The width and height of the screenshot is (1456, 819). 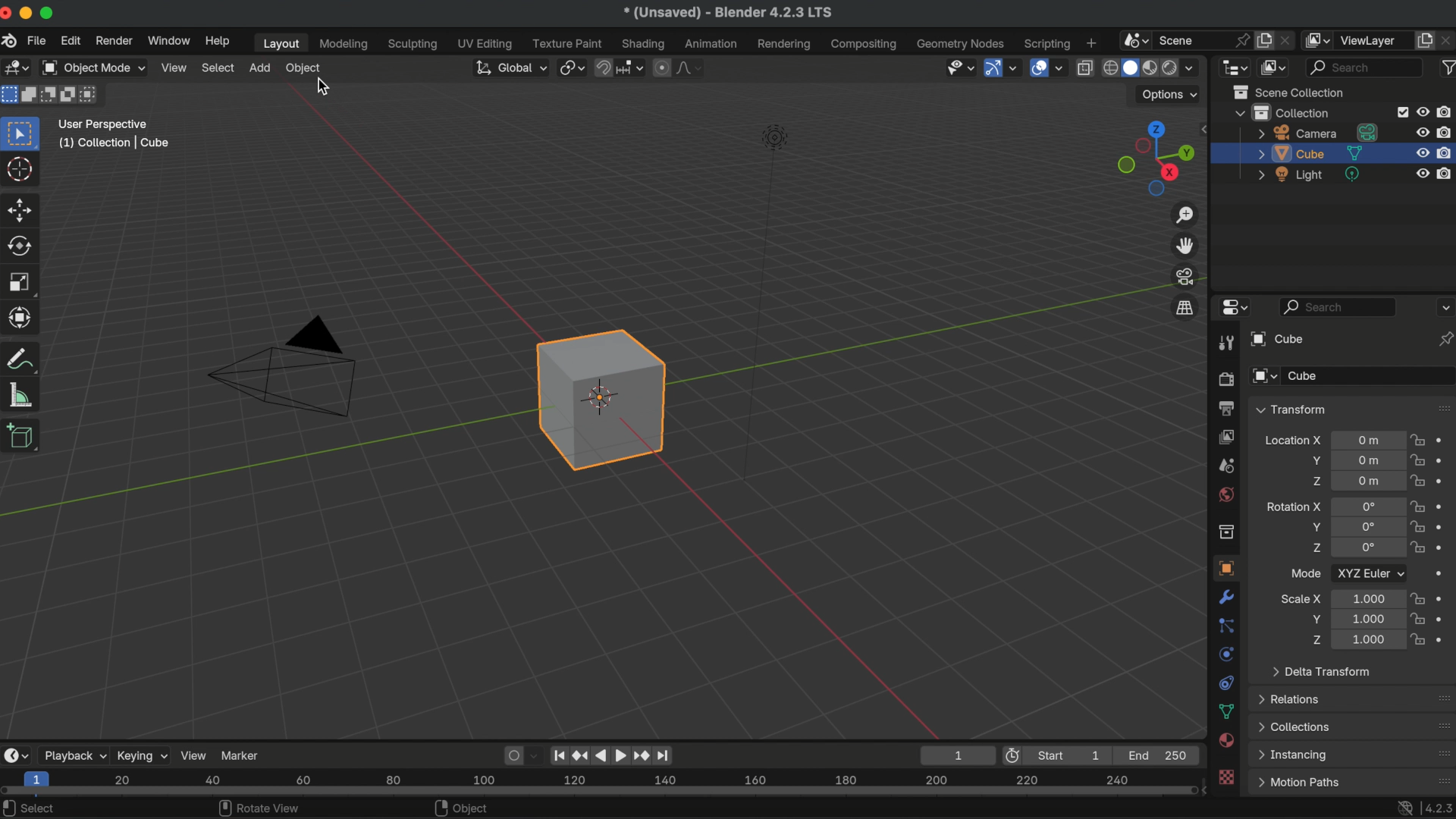 What do you see at coordinates (1292, 442) in the screenshot?
I see `location X` at bounding box center [1292, 442].